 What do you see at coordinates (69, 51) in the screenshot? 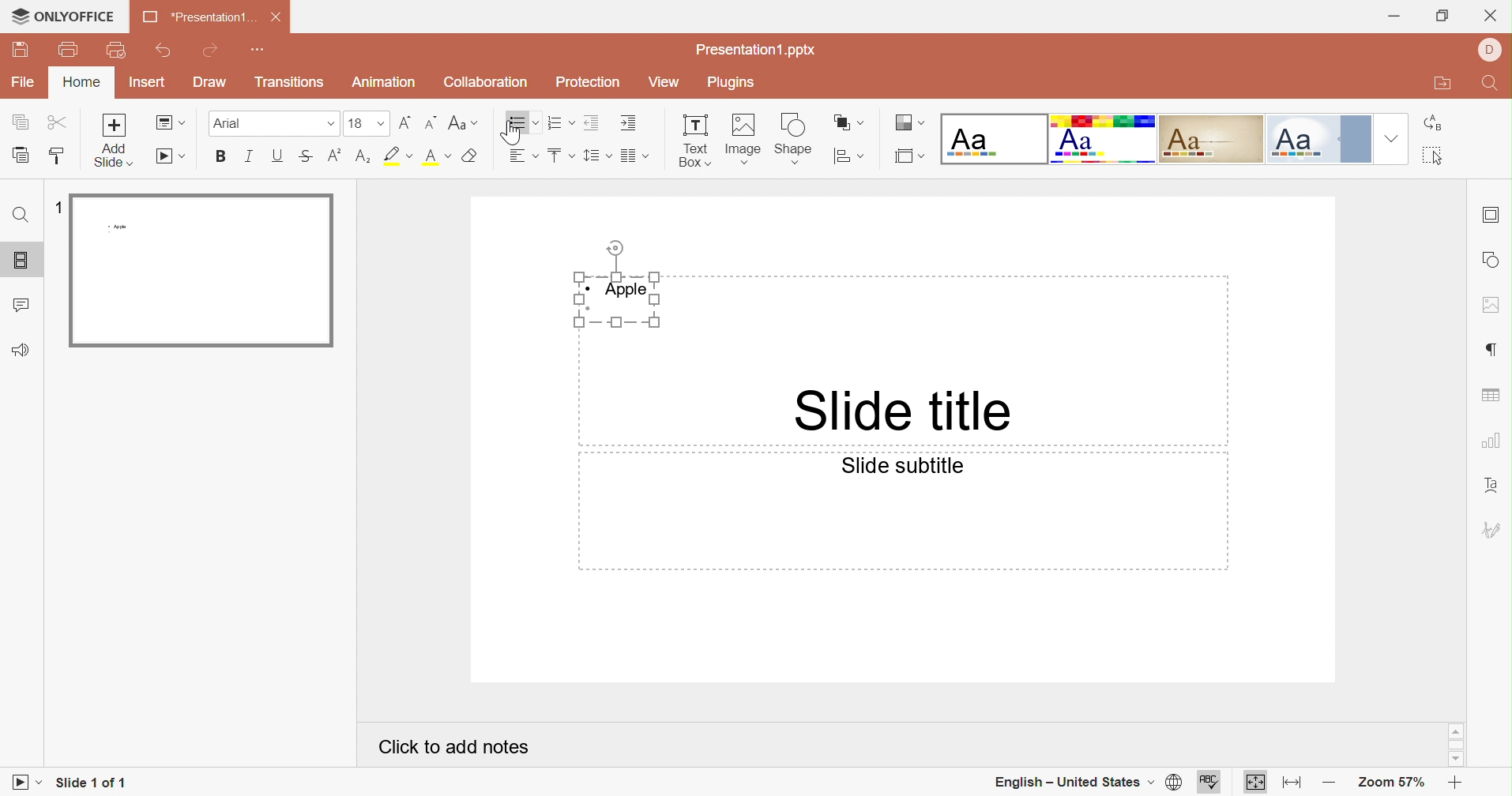
I see `print` at bounding box center [69, 51].